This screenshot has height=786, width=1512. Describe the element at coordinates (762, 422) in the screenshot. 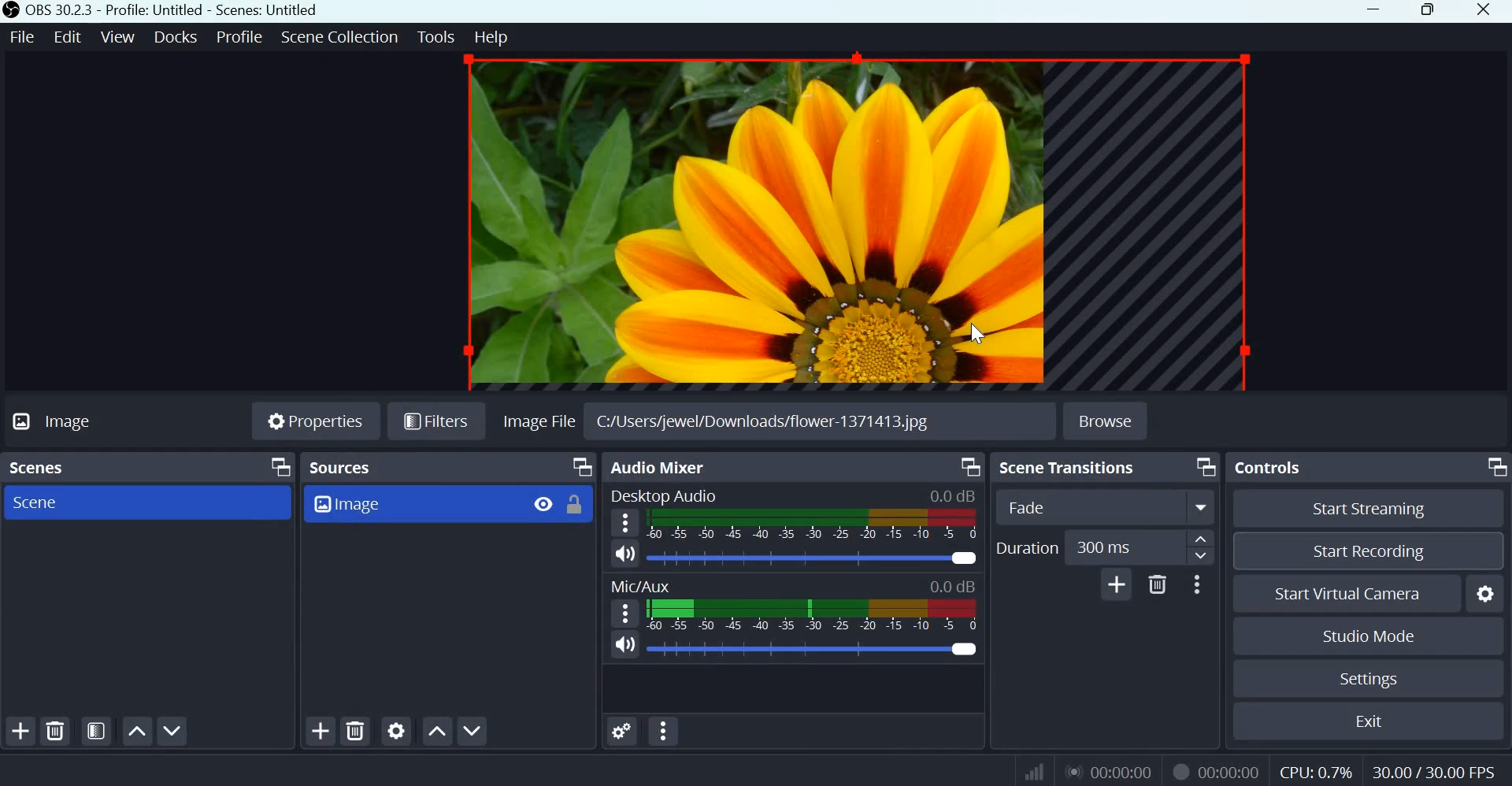

I see `C:/Users/jewel/Downloads/flower-1371413.jpg` at that location.